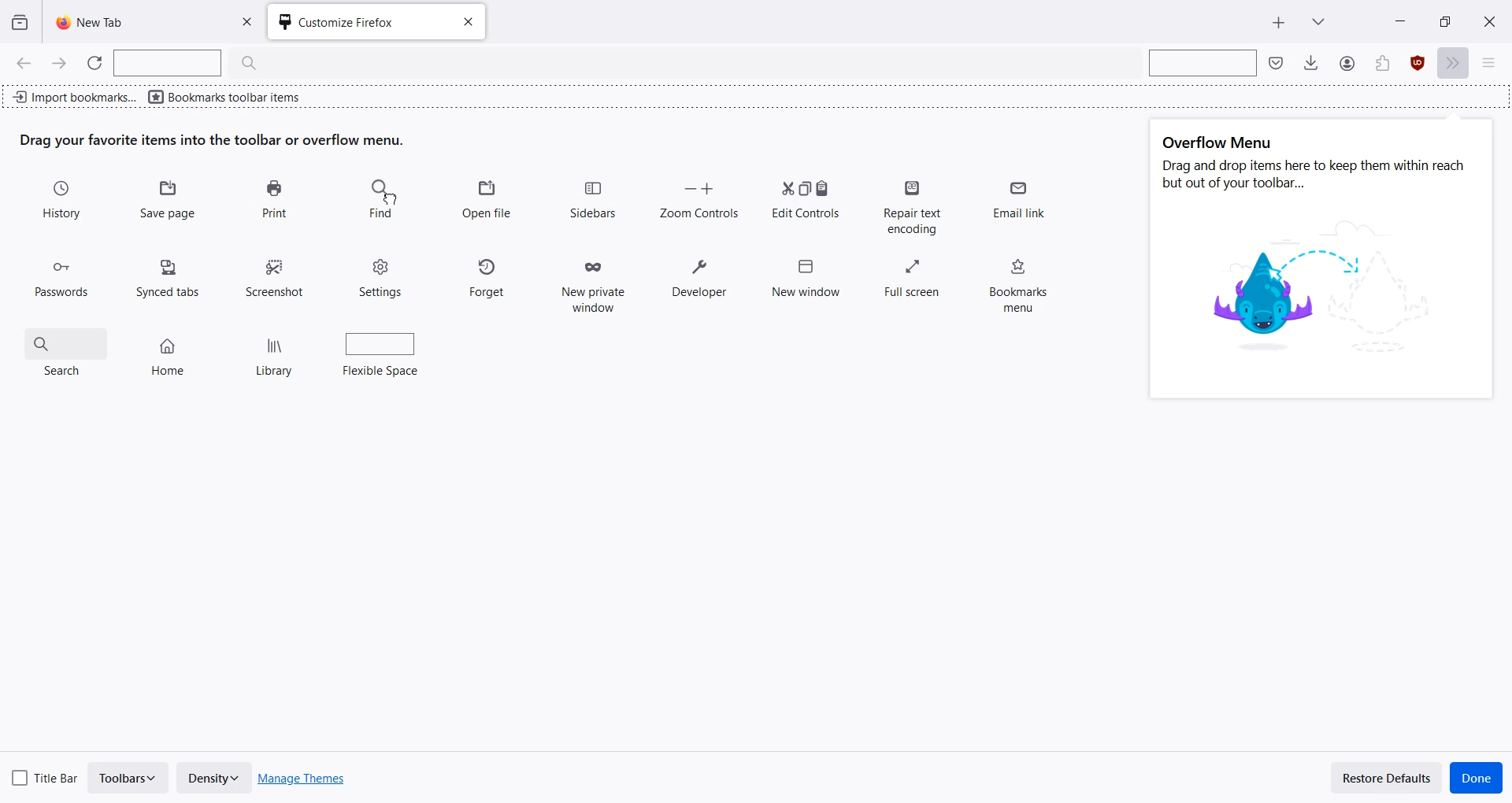 The width and height of the screenshot is (1512, 803). What do you see at coordinates (61, 63) in the screenshot?
I see `Go Forward one page ` at bounding box center [61, 63].